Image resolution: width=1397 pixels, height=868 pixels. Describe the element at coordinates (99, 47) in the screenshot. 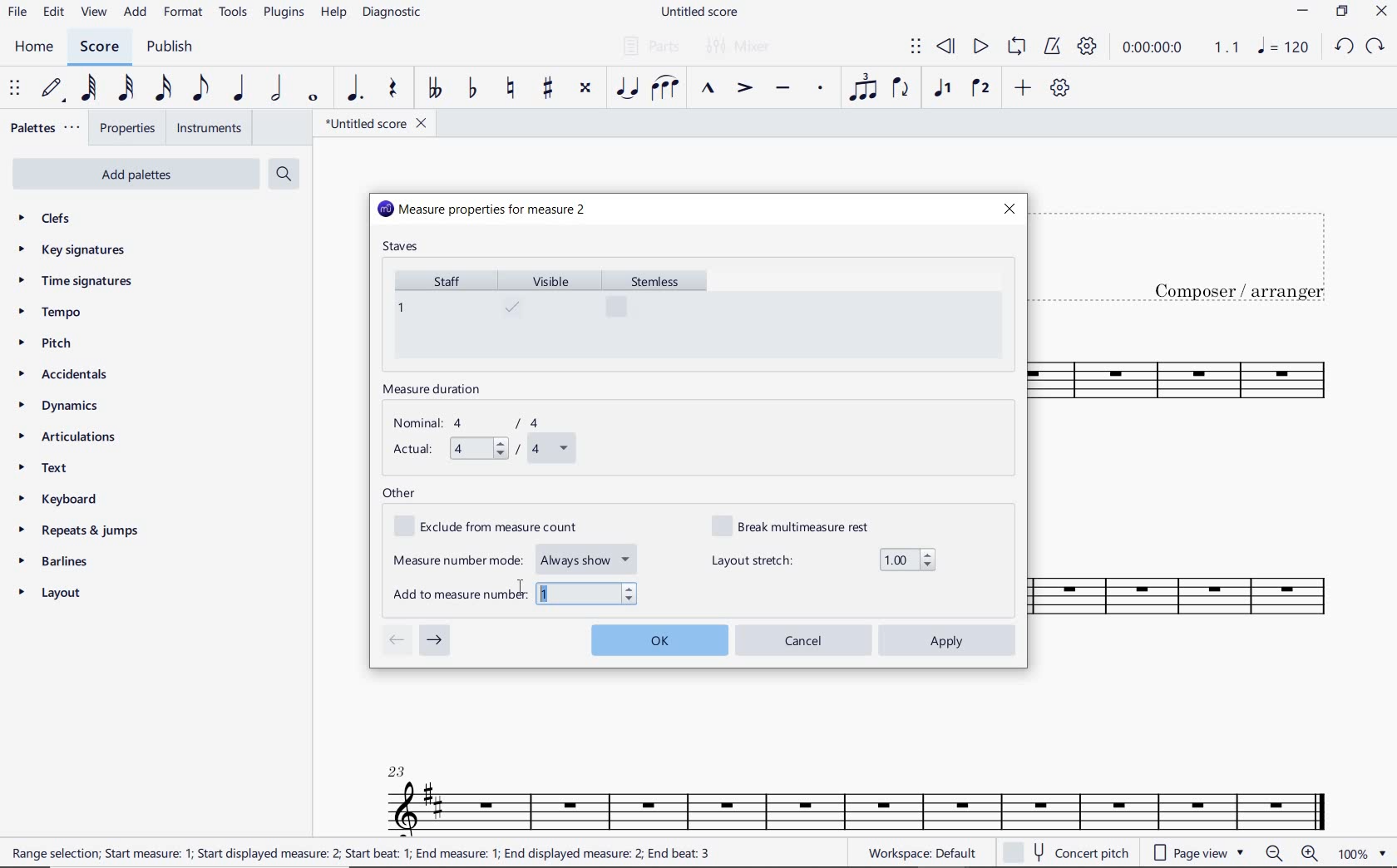

I see `SCORE` at that location.